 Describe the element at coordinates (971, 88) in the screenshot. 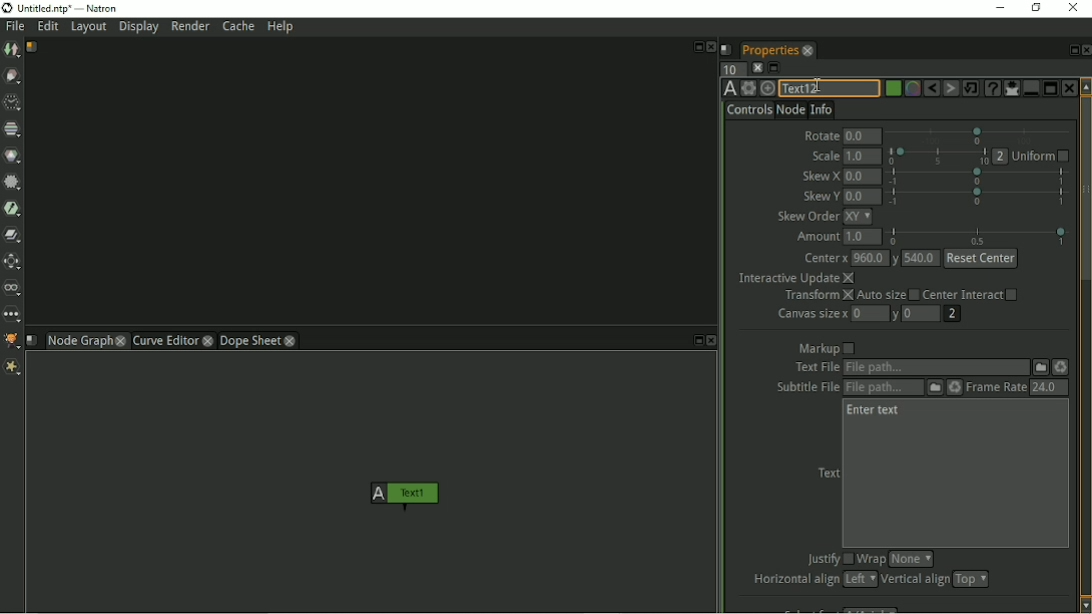

I see `Restore default values` at that location.